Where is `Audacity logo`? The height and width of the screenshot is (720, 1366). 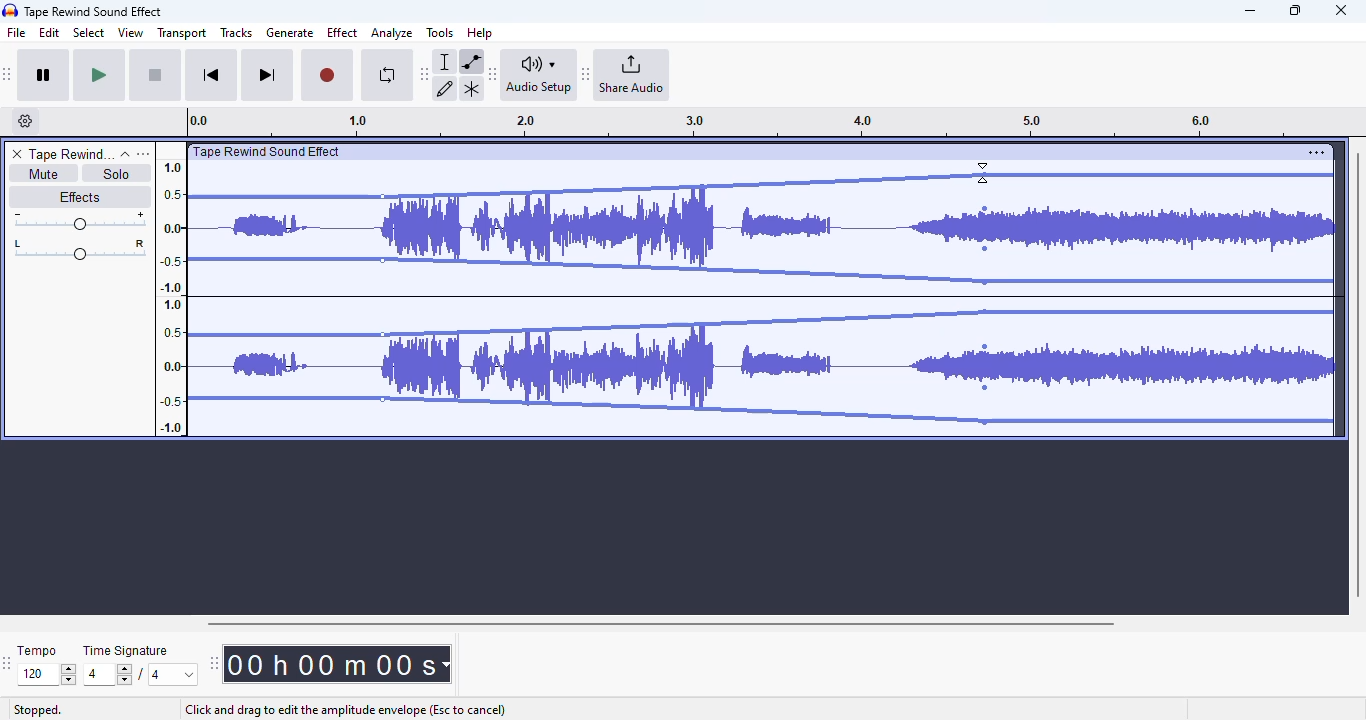 Audacity logo is located at coordinates (10, 11).